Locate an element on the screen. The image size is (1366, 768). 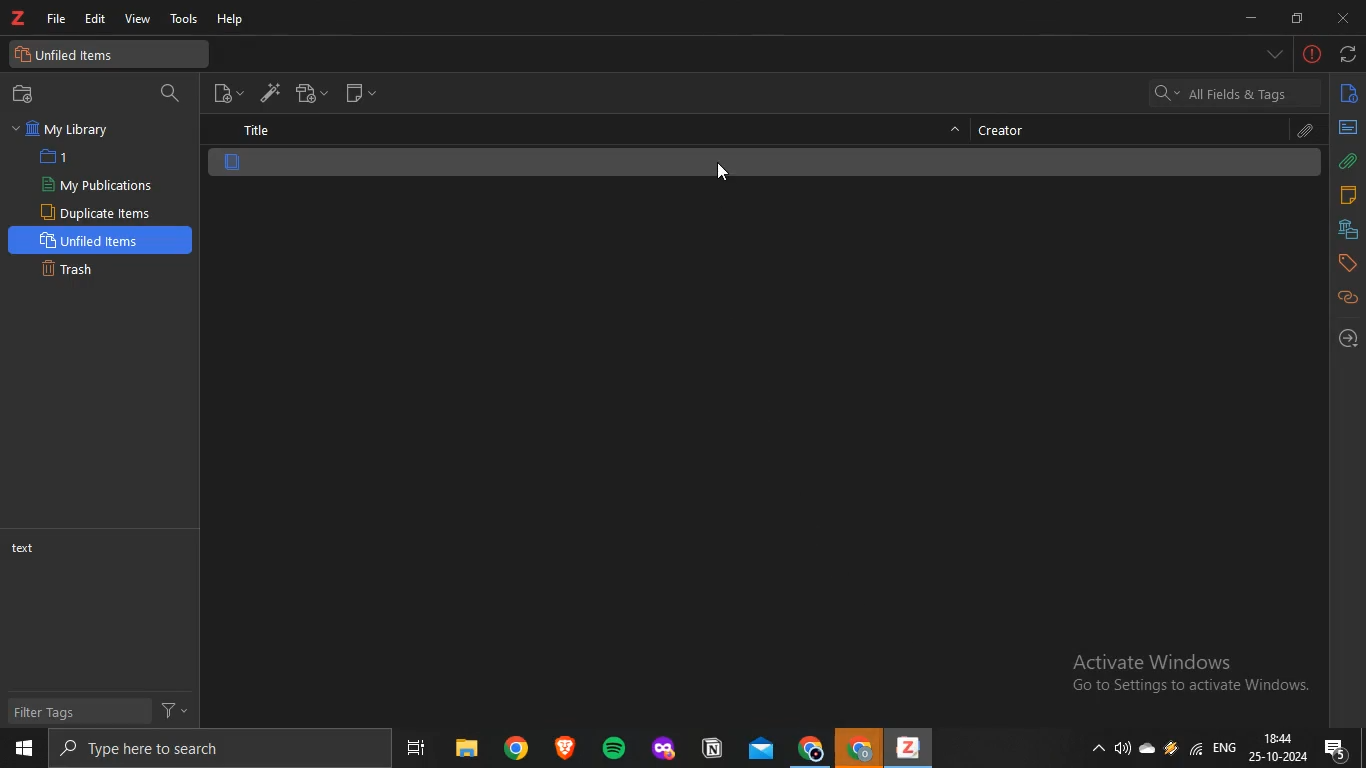
info is located at coordinates (1350, 94).